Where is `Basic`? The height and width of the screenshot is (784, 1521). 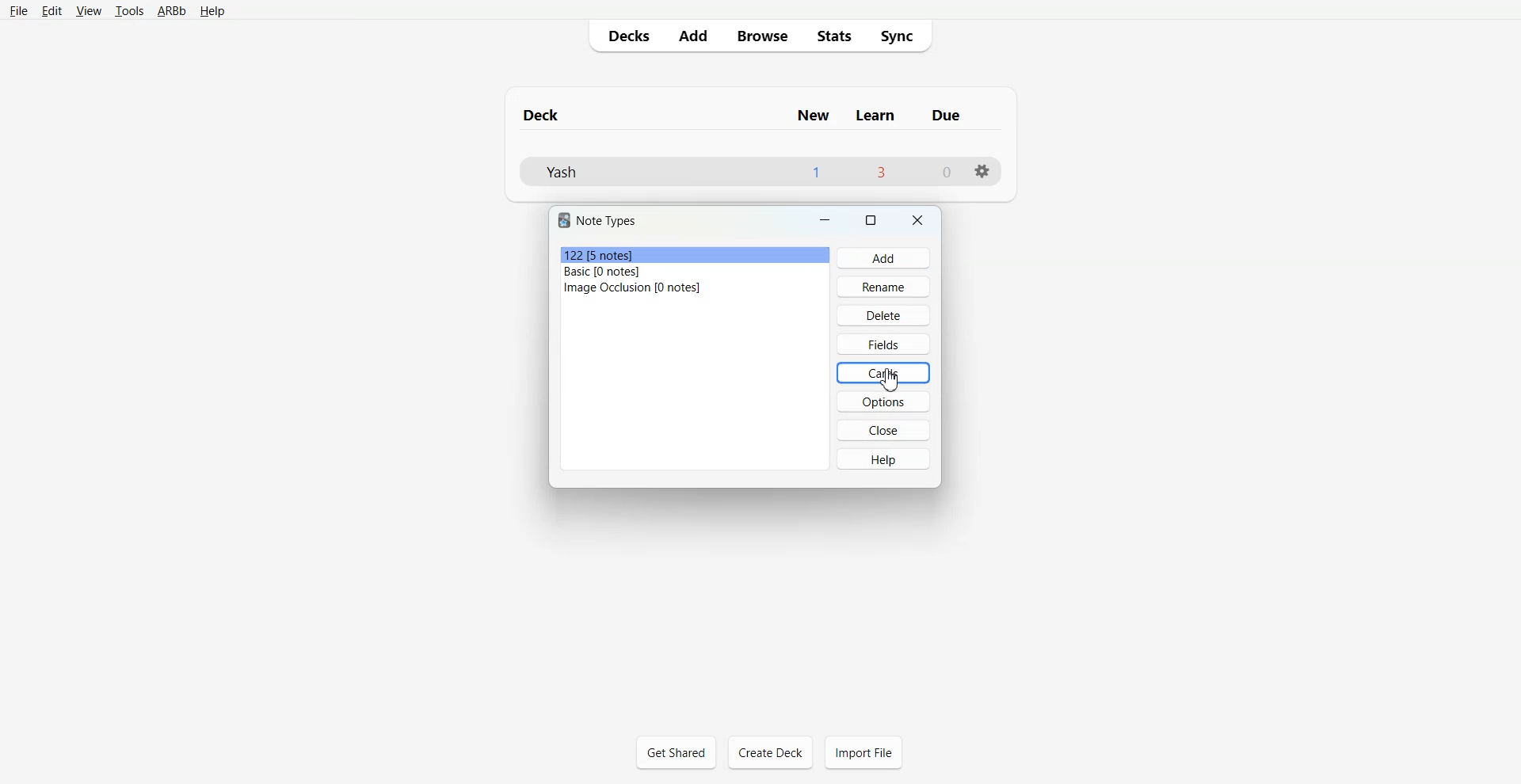
Basic is located at coordinates (695, 272).